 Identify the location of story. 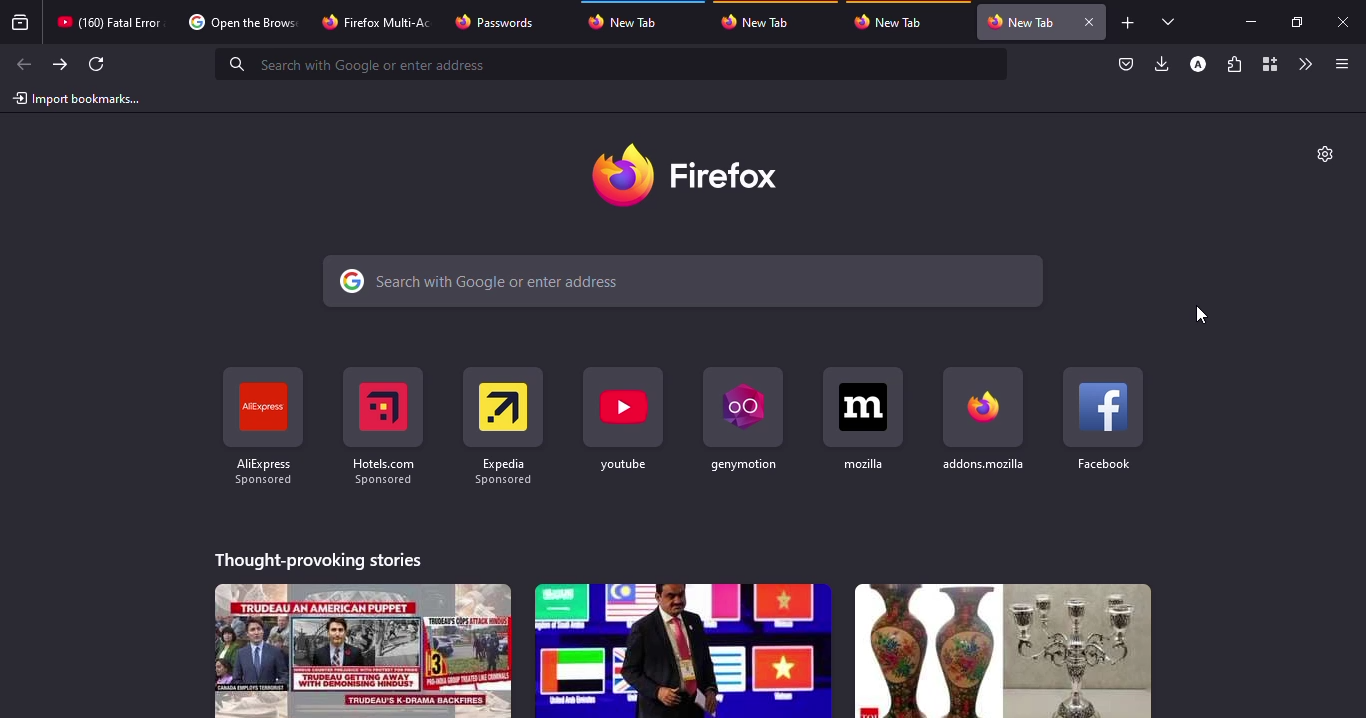
(363, 650).